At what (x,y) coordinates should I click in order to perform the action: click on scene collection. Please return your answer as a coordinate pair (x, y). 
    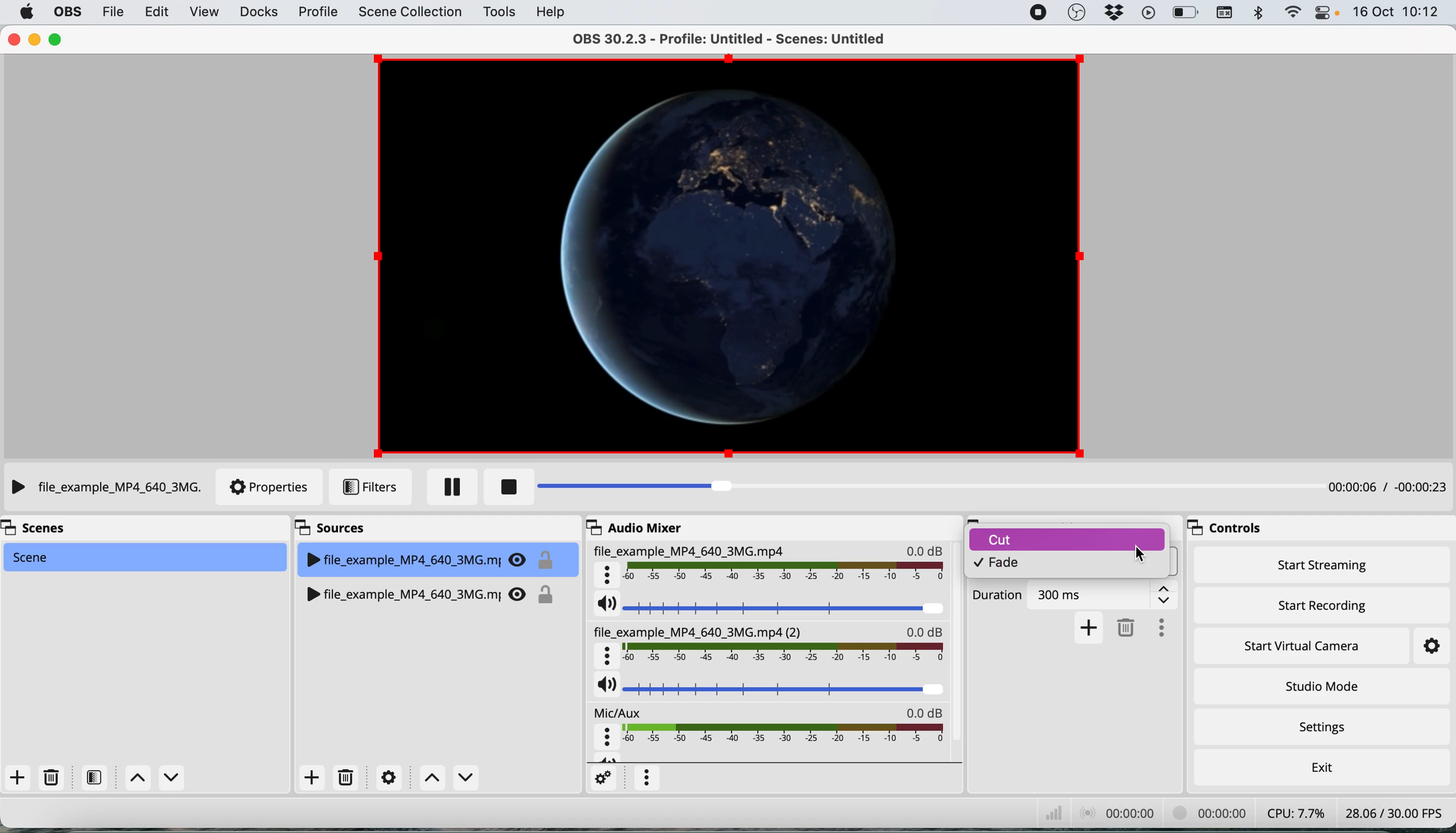
    Looking at the image, I should click on (409, 12).